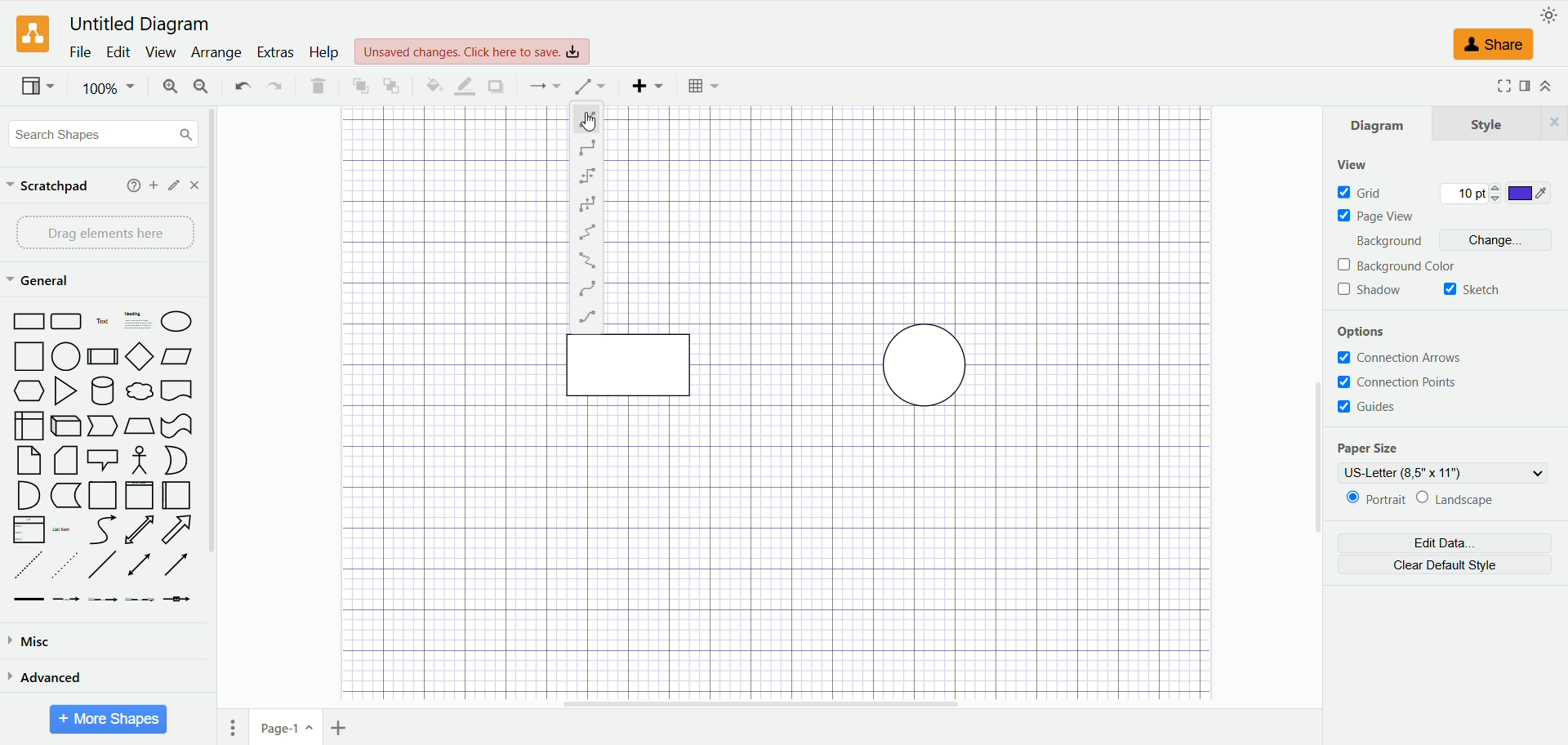 Image resolution: width=1568 pixels, height=745 pixels. I want to click on color, so click(1527, 191).